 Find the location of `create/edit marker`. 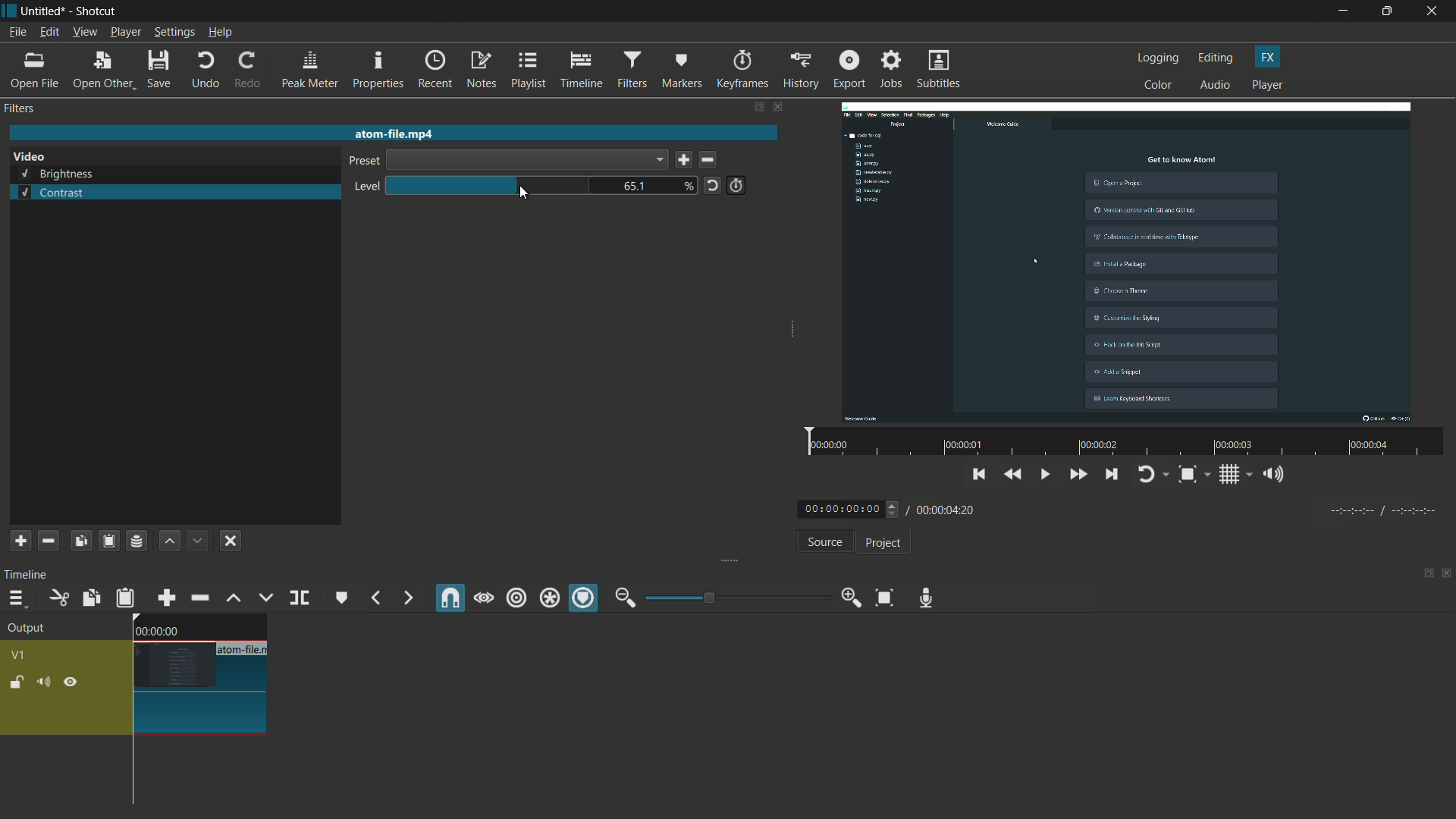

create/edit marker is located at coordinates (342, 598).